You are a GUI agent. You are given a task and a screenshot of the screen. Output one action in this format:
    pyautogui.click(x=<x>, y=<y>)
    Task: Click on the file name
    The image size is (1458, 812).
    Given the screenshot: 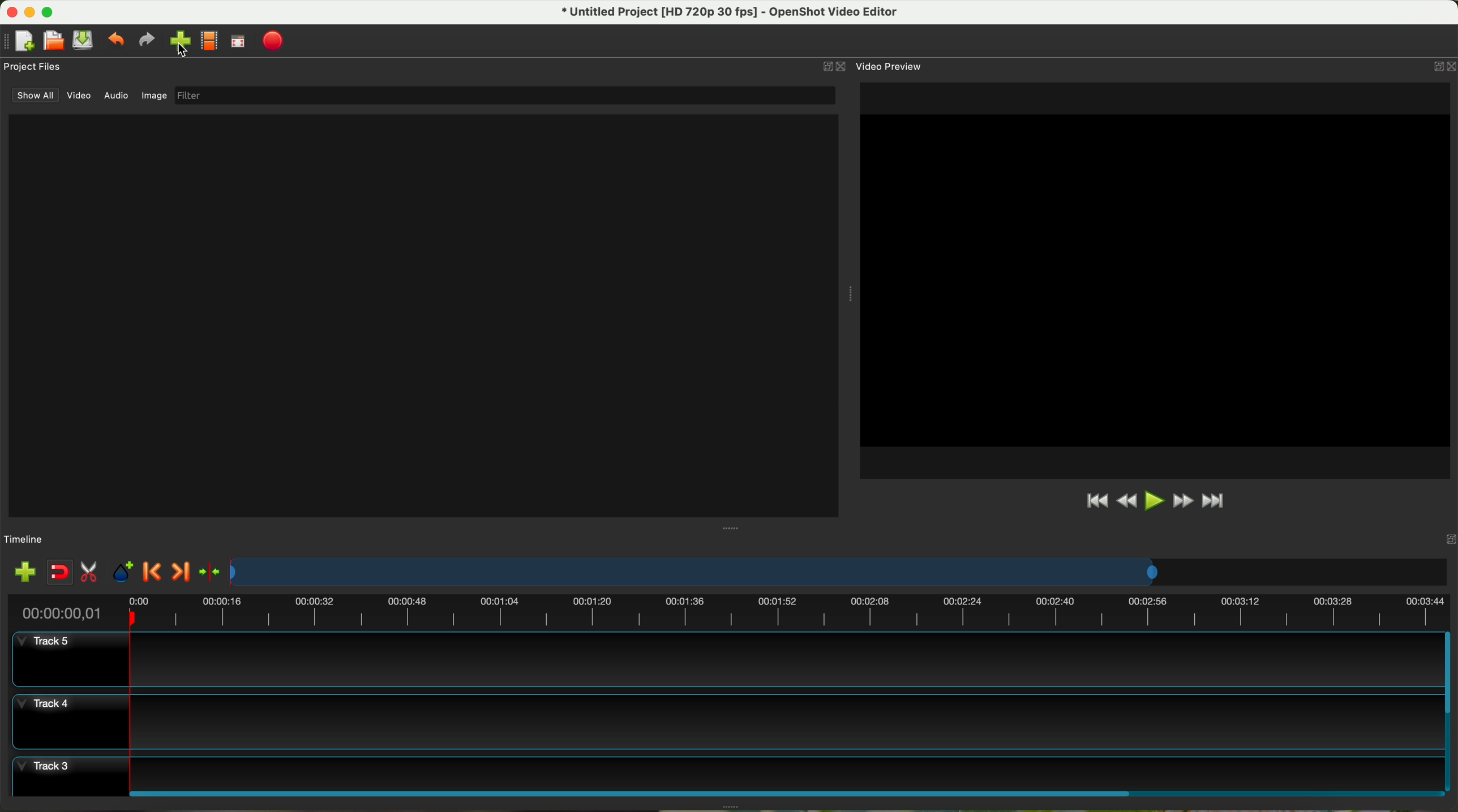 What is the action you would take?
    pyautogui.click(x=731, y=12)
    